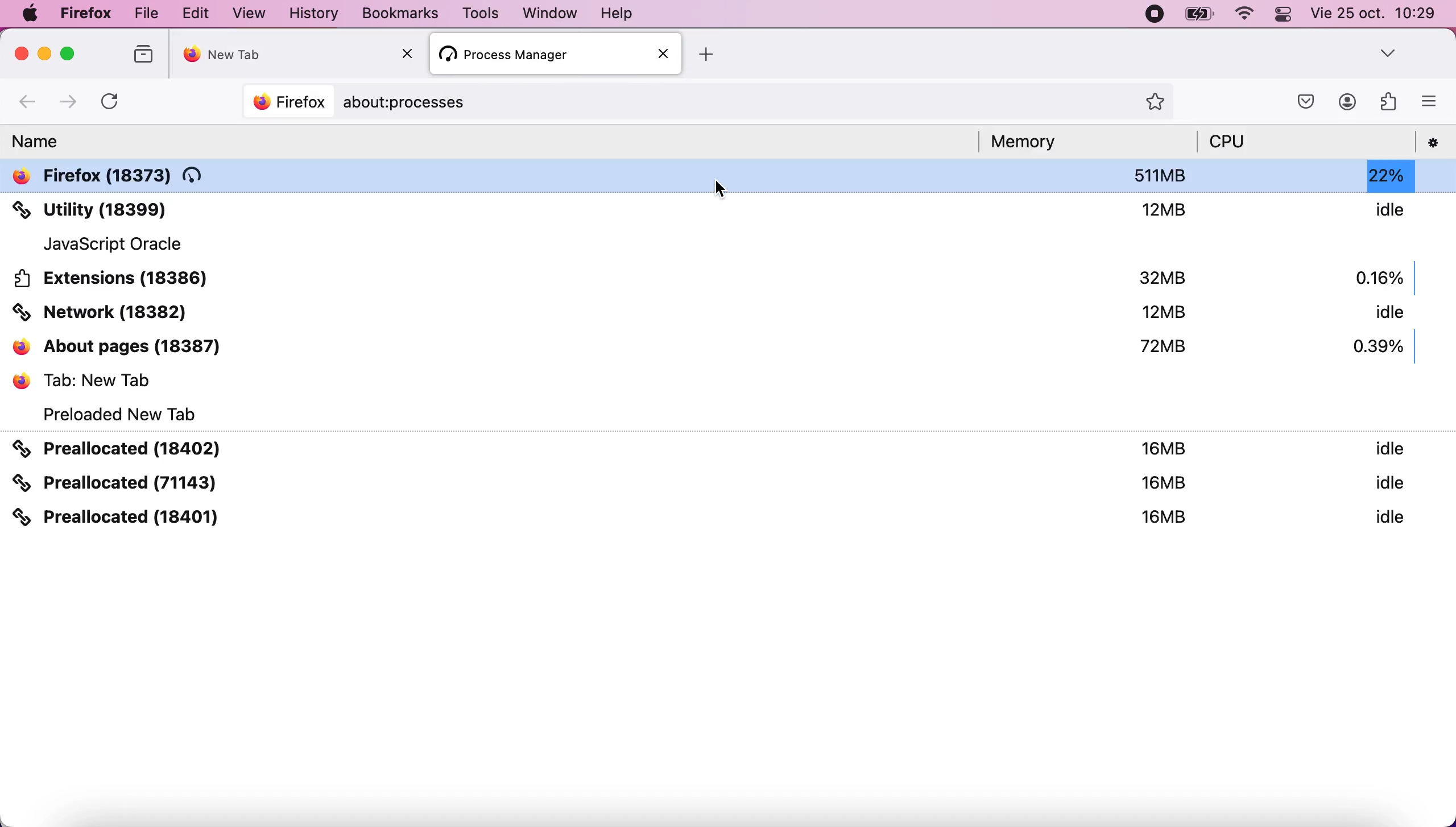  I want to click on Cursor , so click(723, 190).